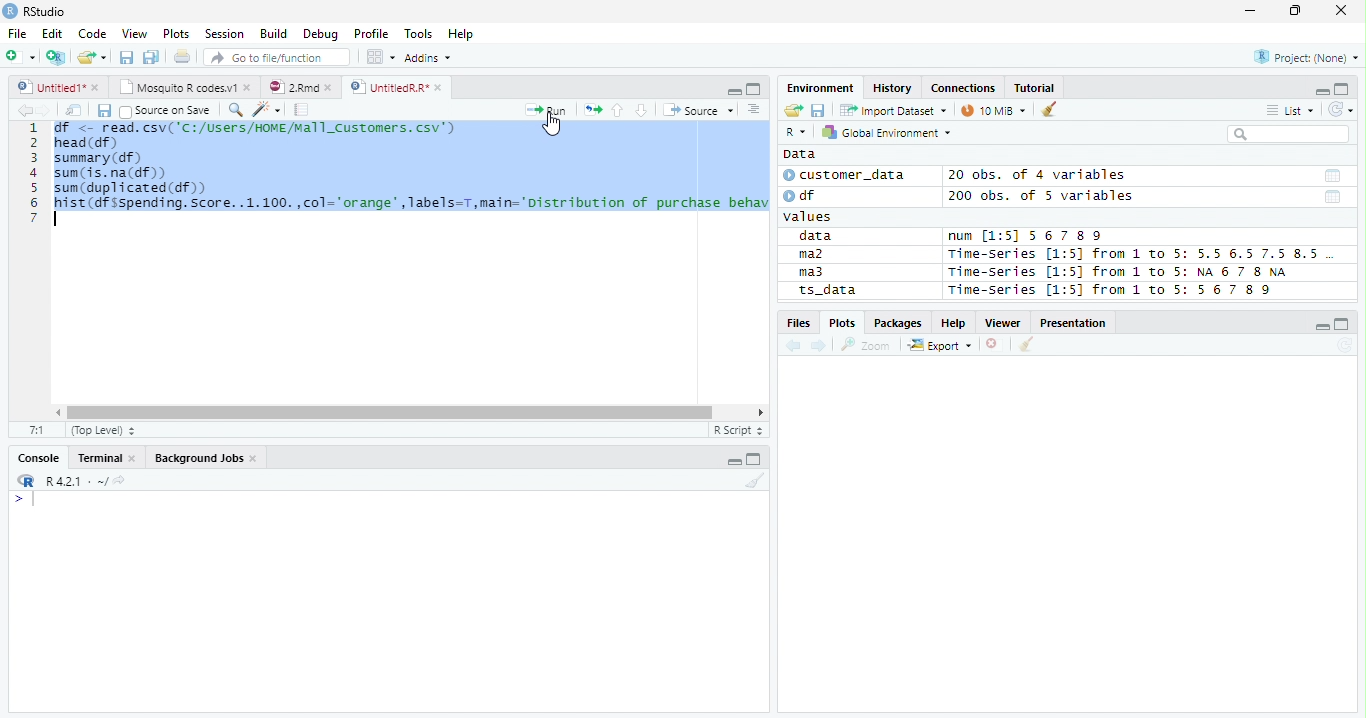 The width and height of the screenshot is (1366, 718). Describe the element at coordinates (737, 430) in the screenshot. I see `R script` at that location.